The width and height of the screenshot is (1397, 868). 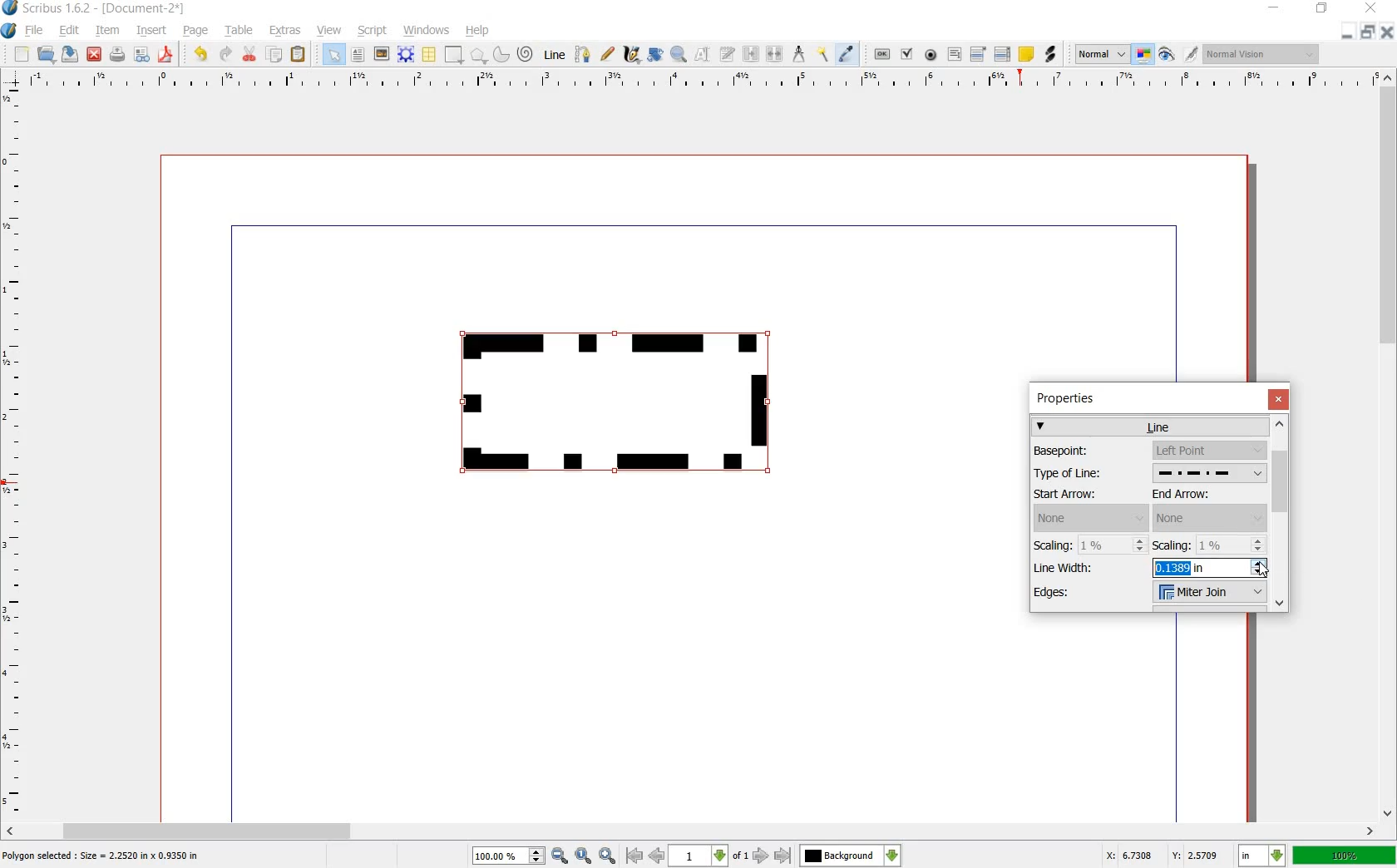 What do you see at coordinates (141, 56) in the screenshot?
I see `PRFELIGHT VERIFIER` at bounding box center [141, 56].